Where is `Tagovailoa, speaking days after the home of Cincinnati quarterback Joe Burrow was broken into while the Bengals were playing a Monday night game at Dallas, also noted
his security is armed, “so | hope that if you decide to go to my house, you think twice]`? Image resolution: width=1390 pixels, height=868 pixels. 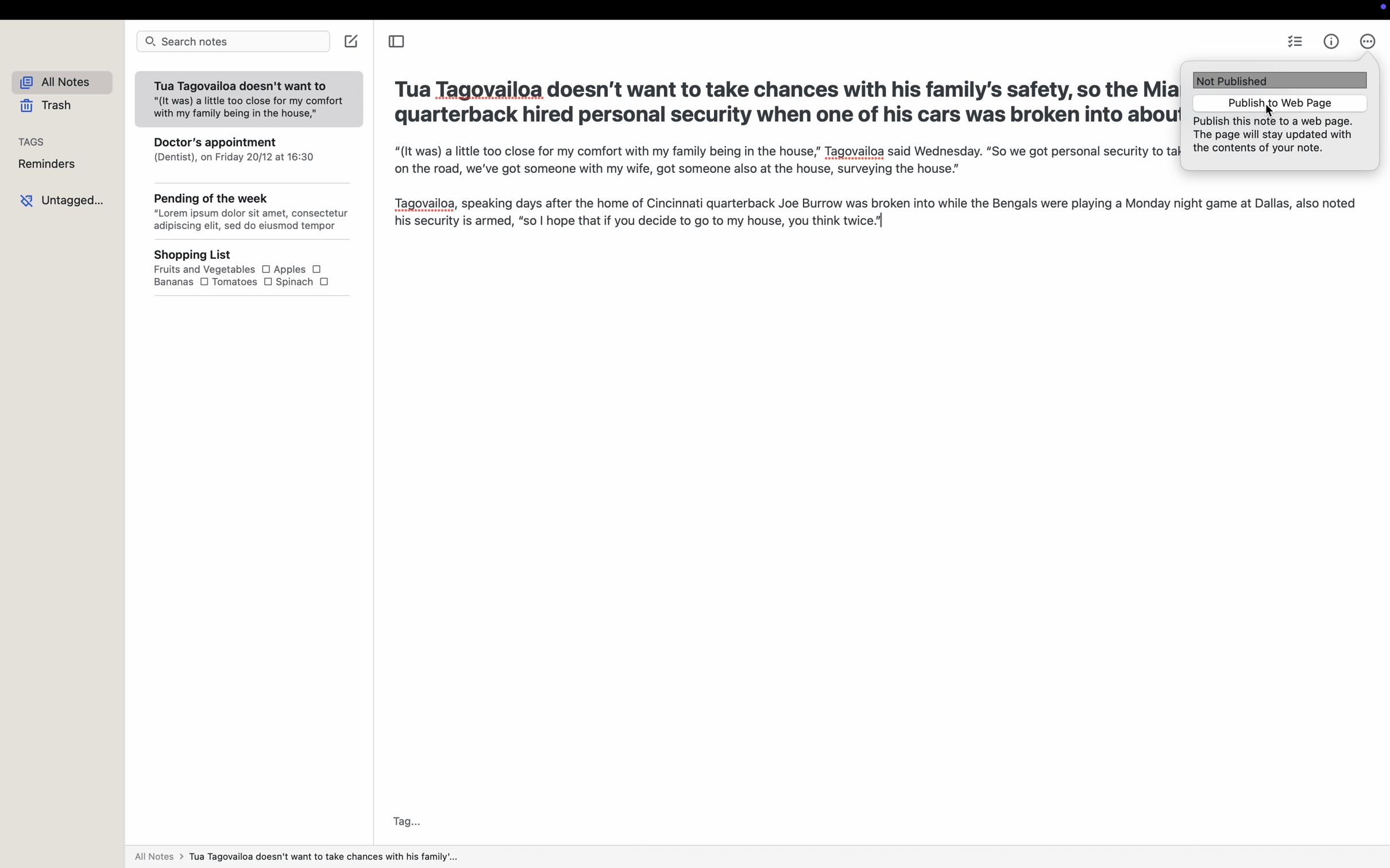
Tagovailoa, speaking days after the home of Cincinnati quarterback Joe Burrow was broken into while the Bengals were playing a Monday night game at Dallas, also noted
his security is armed, “so | hope that if you decide to go to my house, you think twice] is located at coordinates (874, 214).